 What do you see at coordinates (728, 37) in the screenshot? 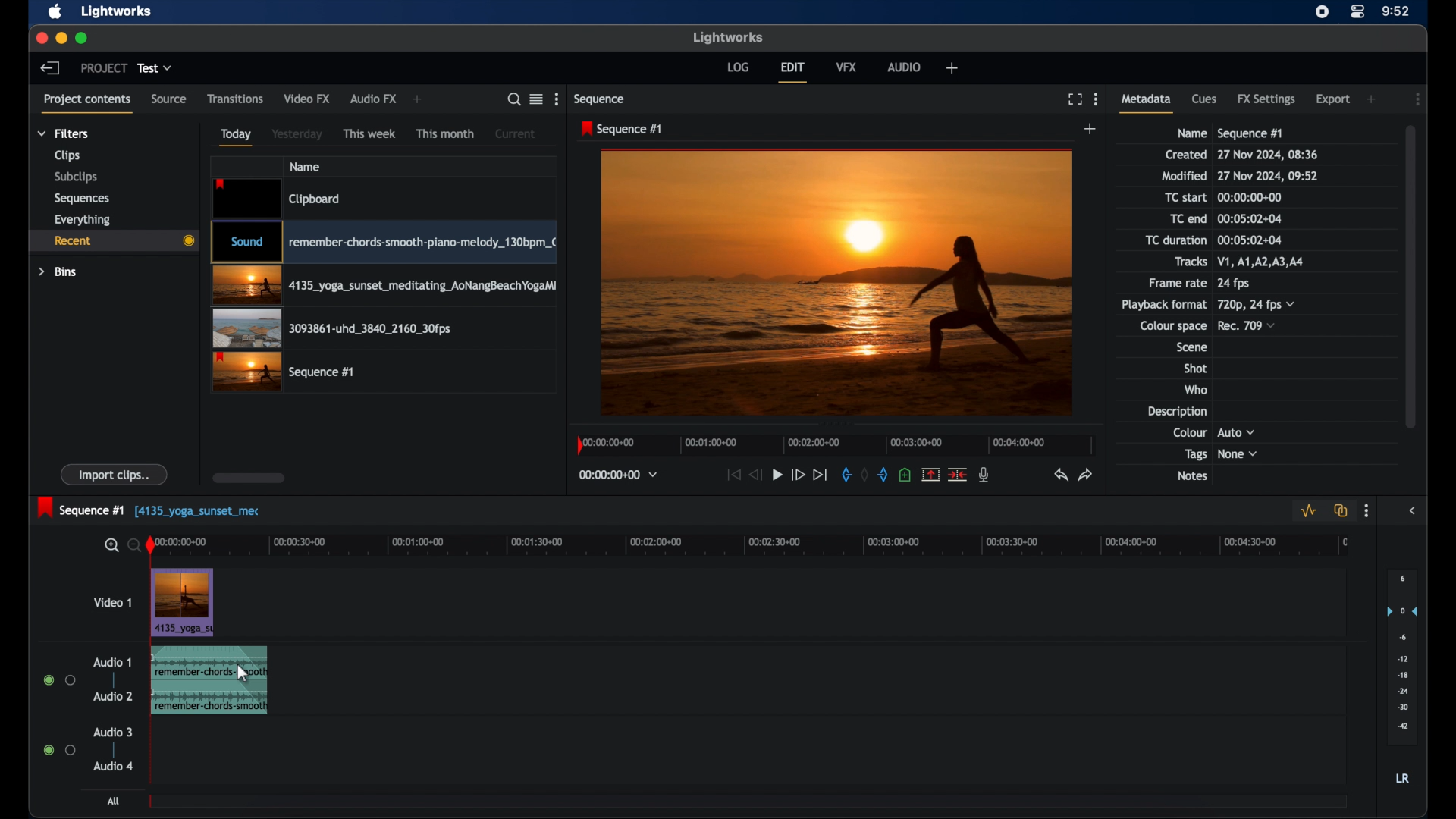
I see `lightworks` at bounding box center [728, 37].